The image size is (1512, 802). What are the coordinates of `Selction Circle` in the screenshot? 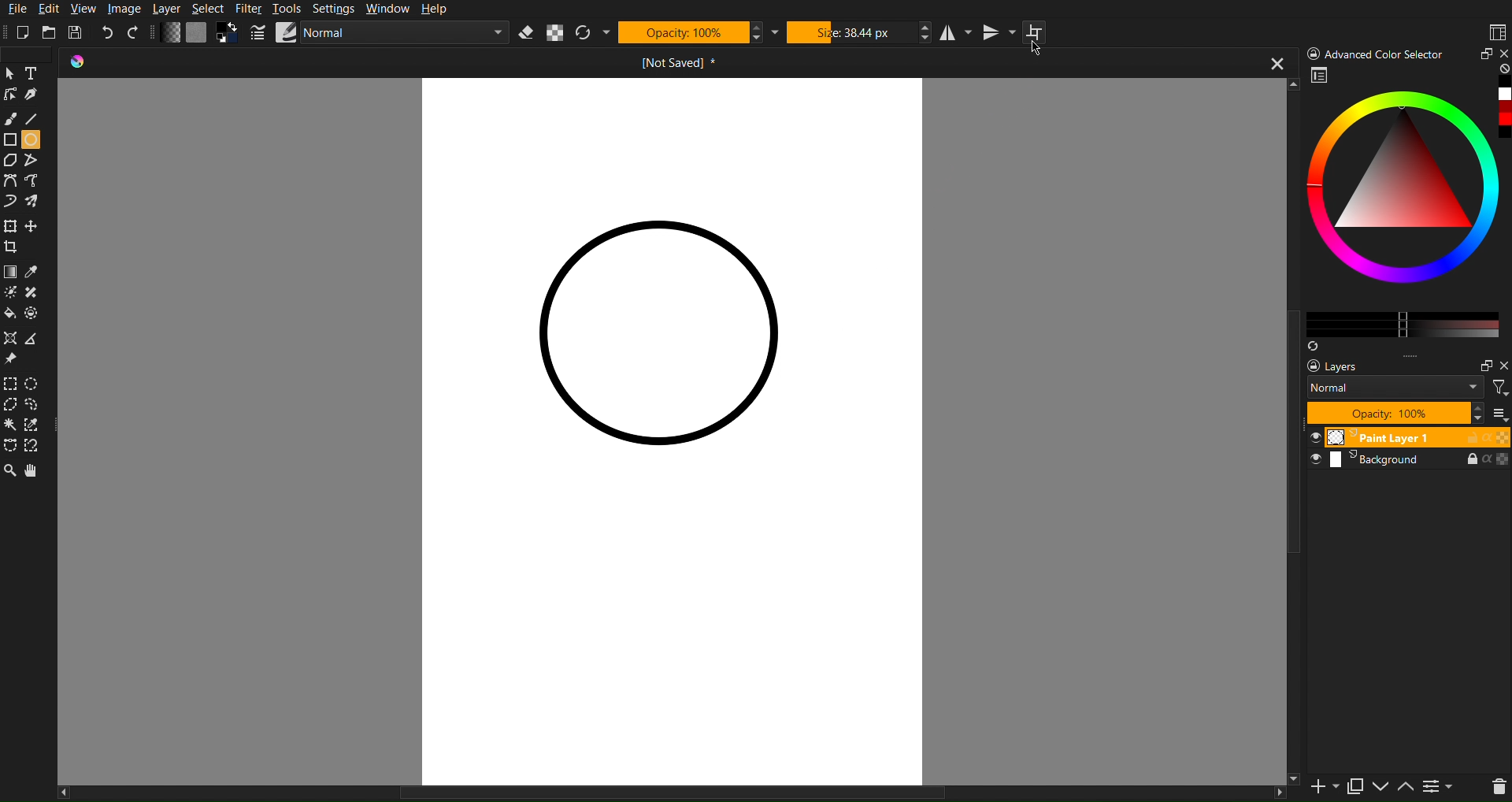 It's located at (31, 381).